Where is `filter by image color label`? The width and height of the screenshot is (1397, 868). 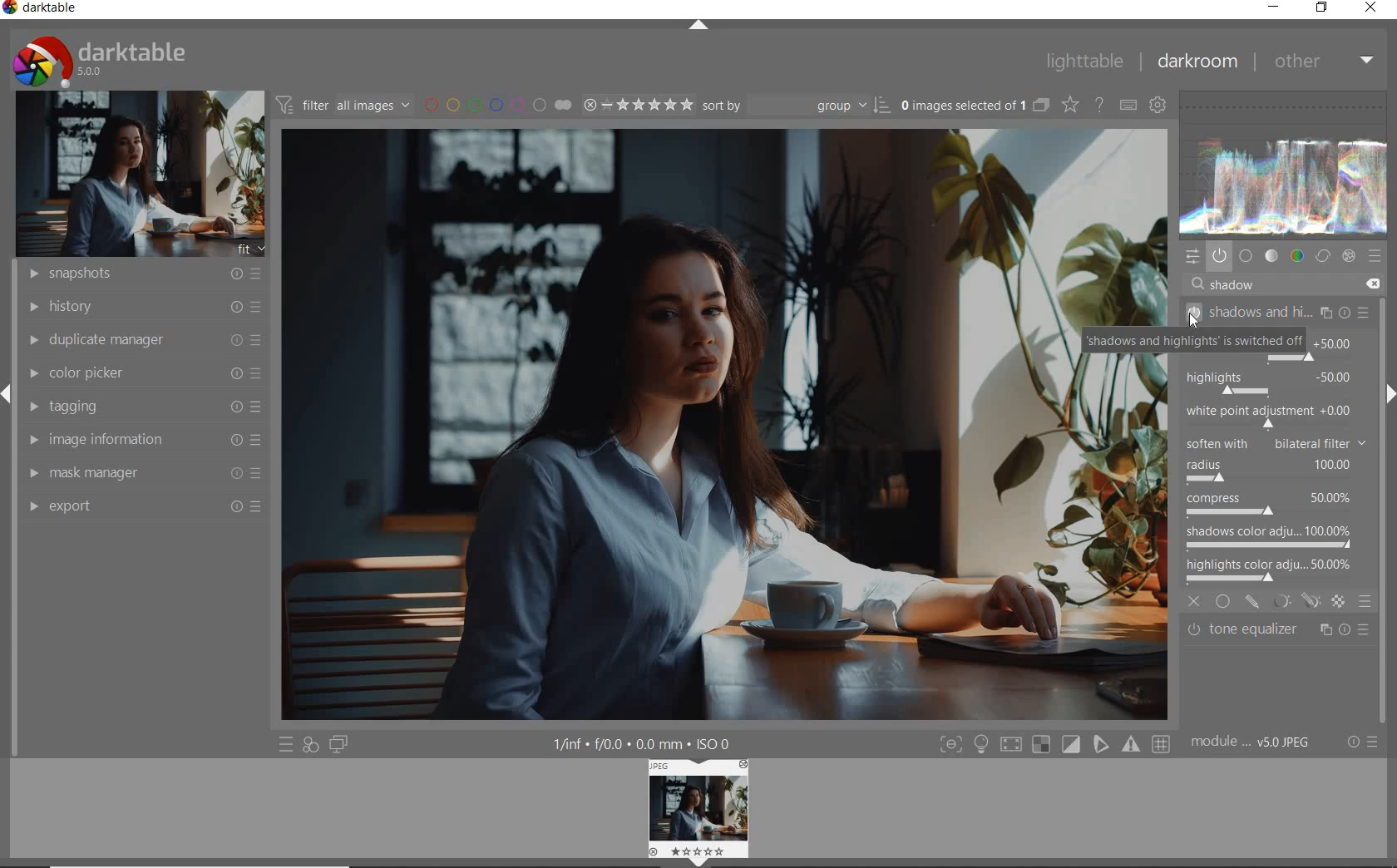 filter by image color label is located at coordinates (496, 103).